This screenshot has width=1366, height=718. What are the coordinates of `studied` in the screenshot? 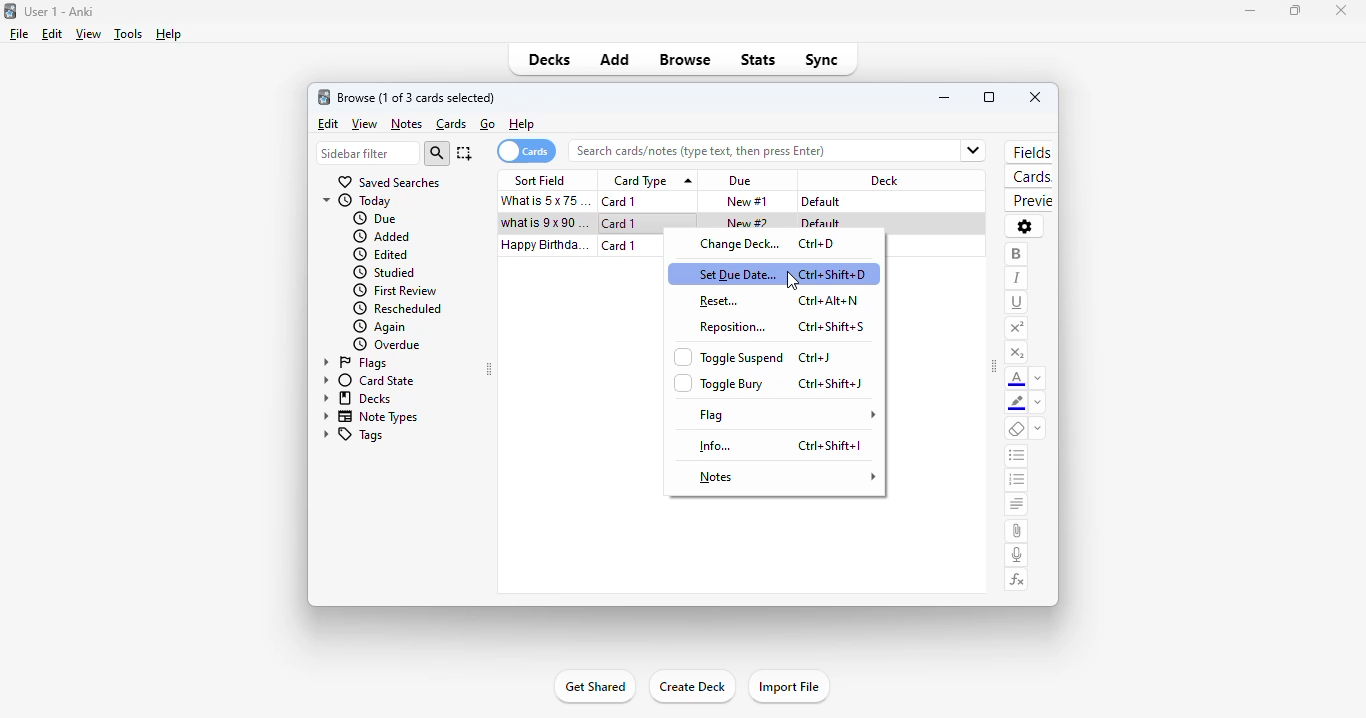 It's located at (382, 272).